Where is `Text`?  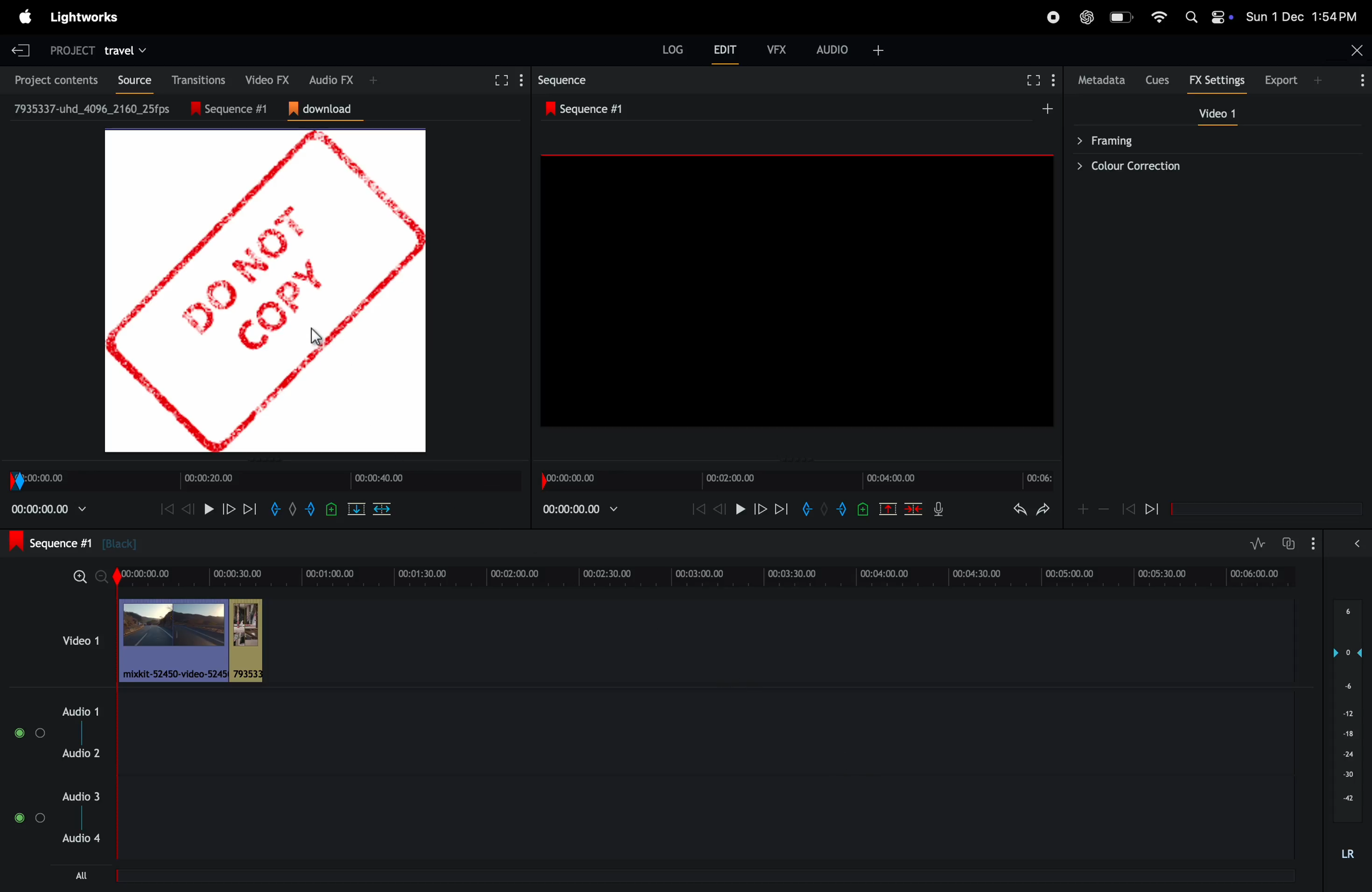 Text is located at coordinates (1348, 855).